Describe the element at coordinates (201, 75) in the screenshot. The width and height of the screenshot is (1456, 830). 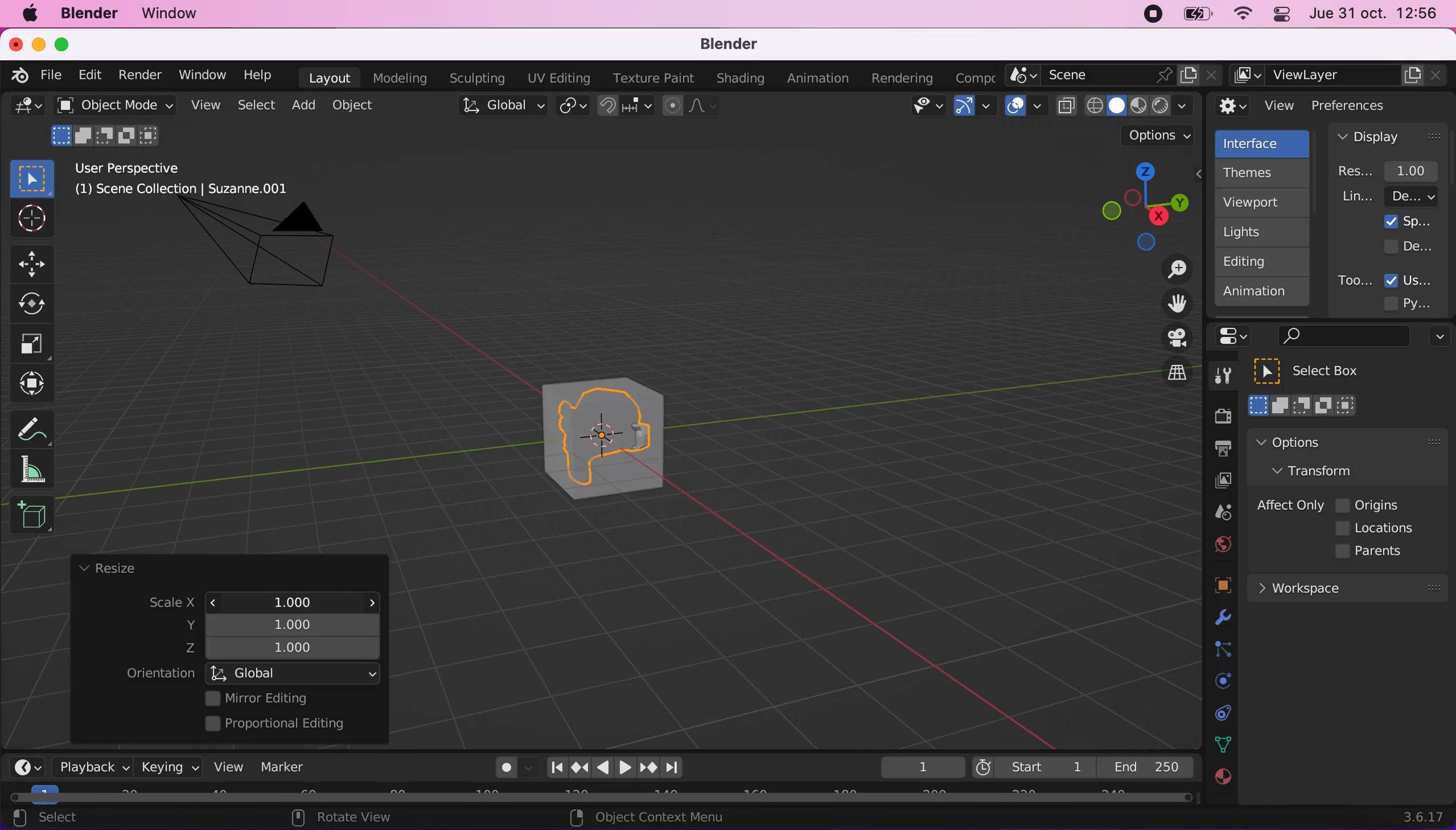
I see `window` at that location.